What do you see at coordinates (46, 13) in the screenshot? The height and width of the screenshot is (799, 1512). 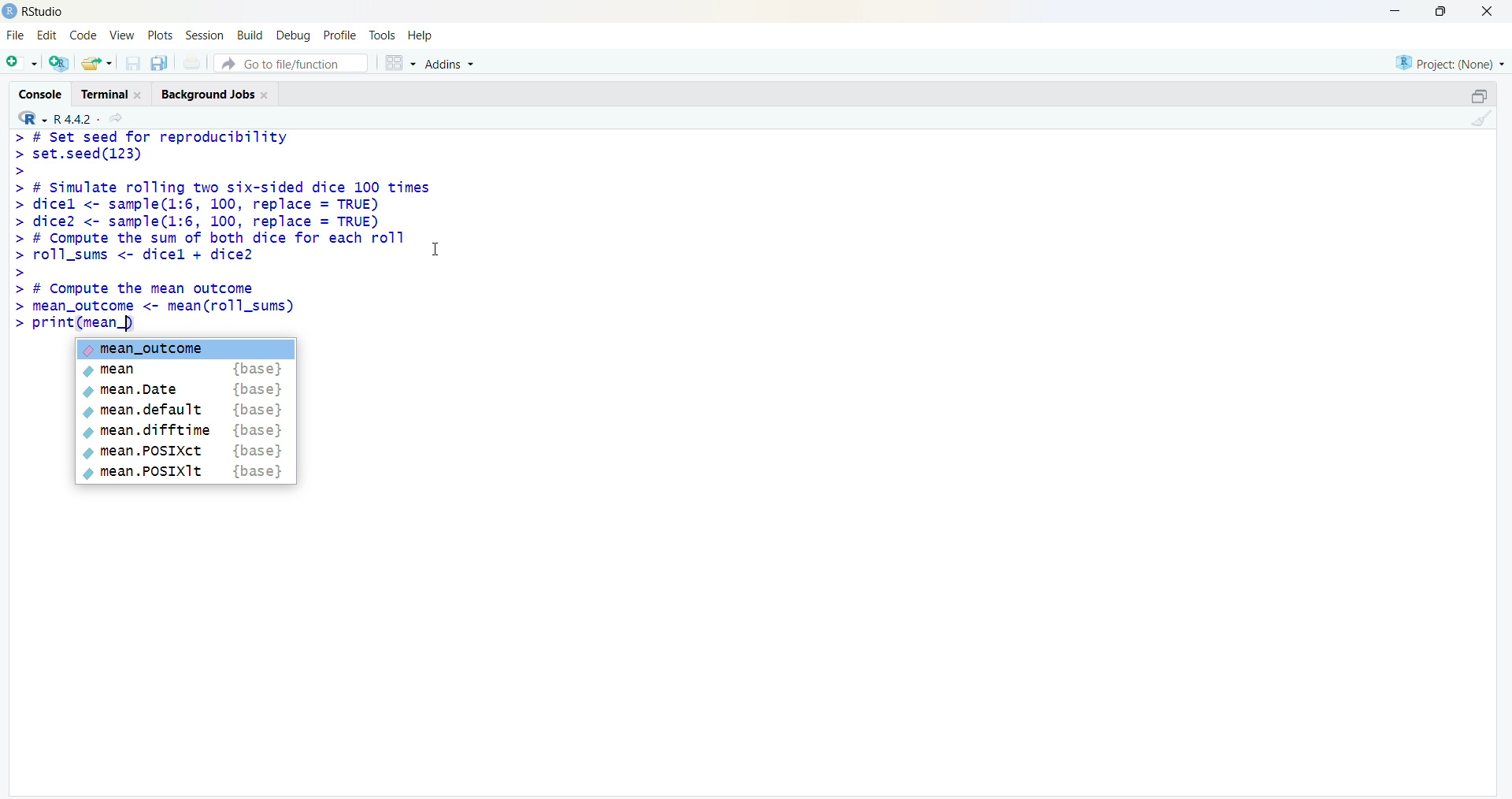 I see `RStudio` at bounding box center [46, 13].